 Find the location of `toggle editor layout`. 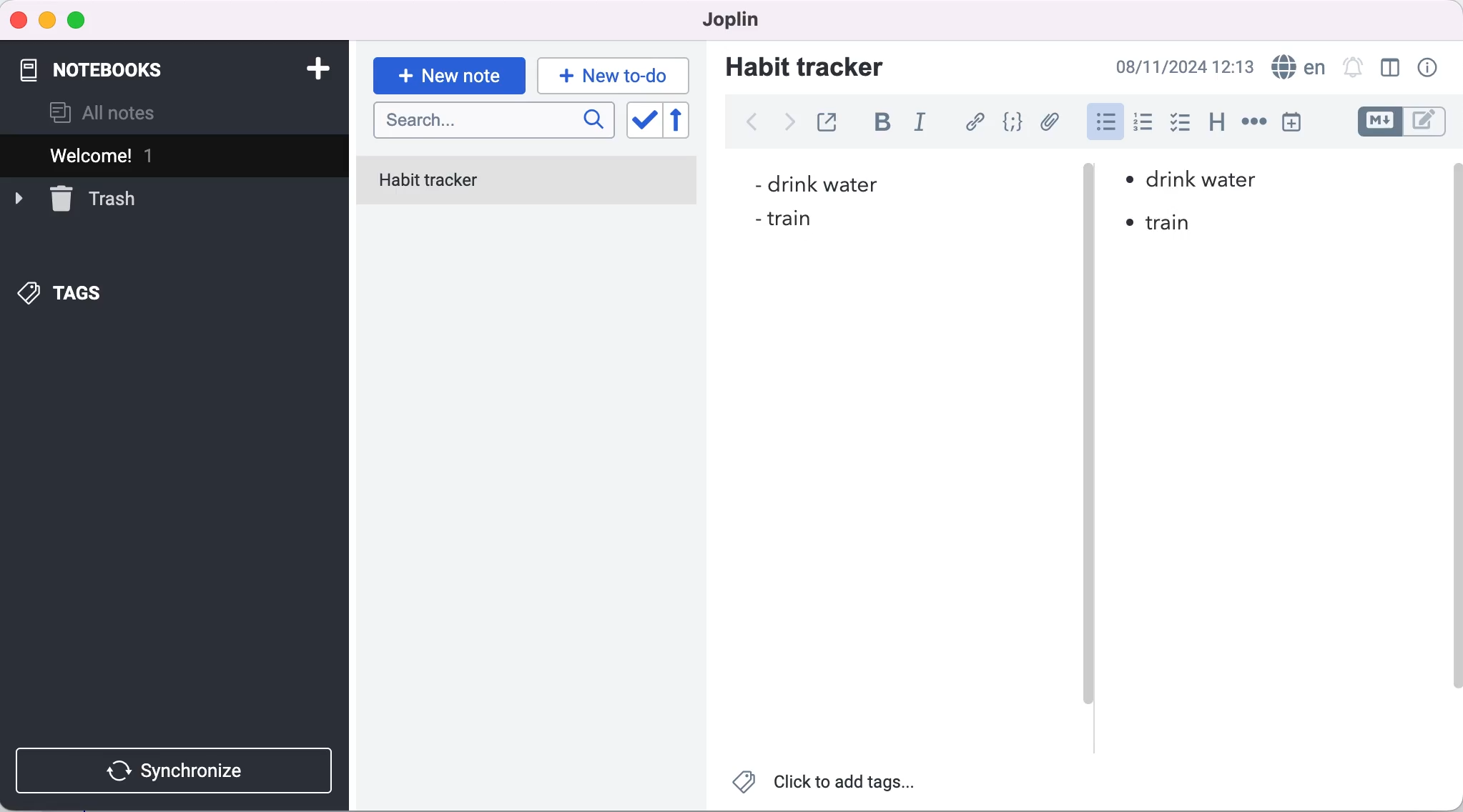

toggle editor layout is located at coordinates (1391, 68).